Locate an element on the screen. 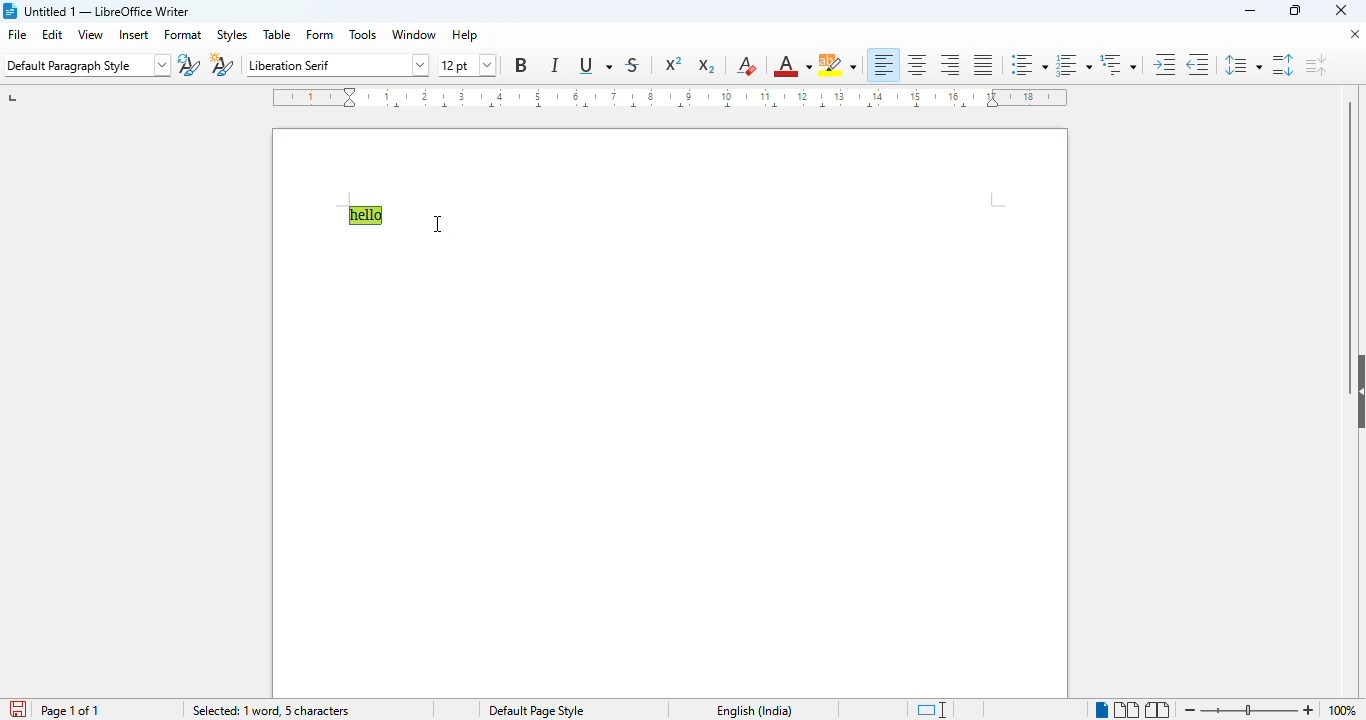 This screenshot has width=1366, height=720. text language is located at coordinates (742, 711).